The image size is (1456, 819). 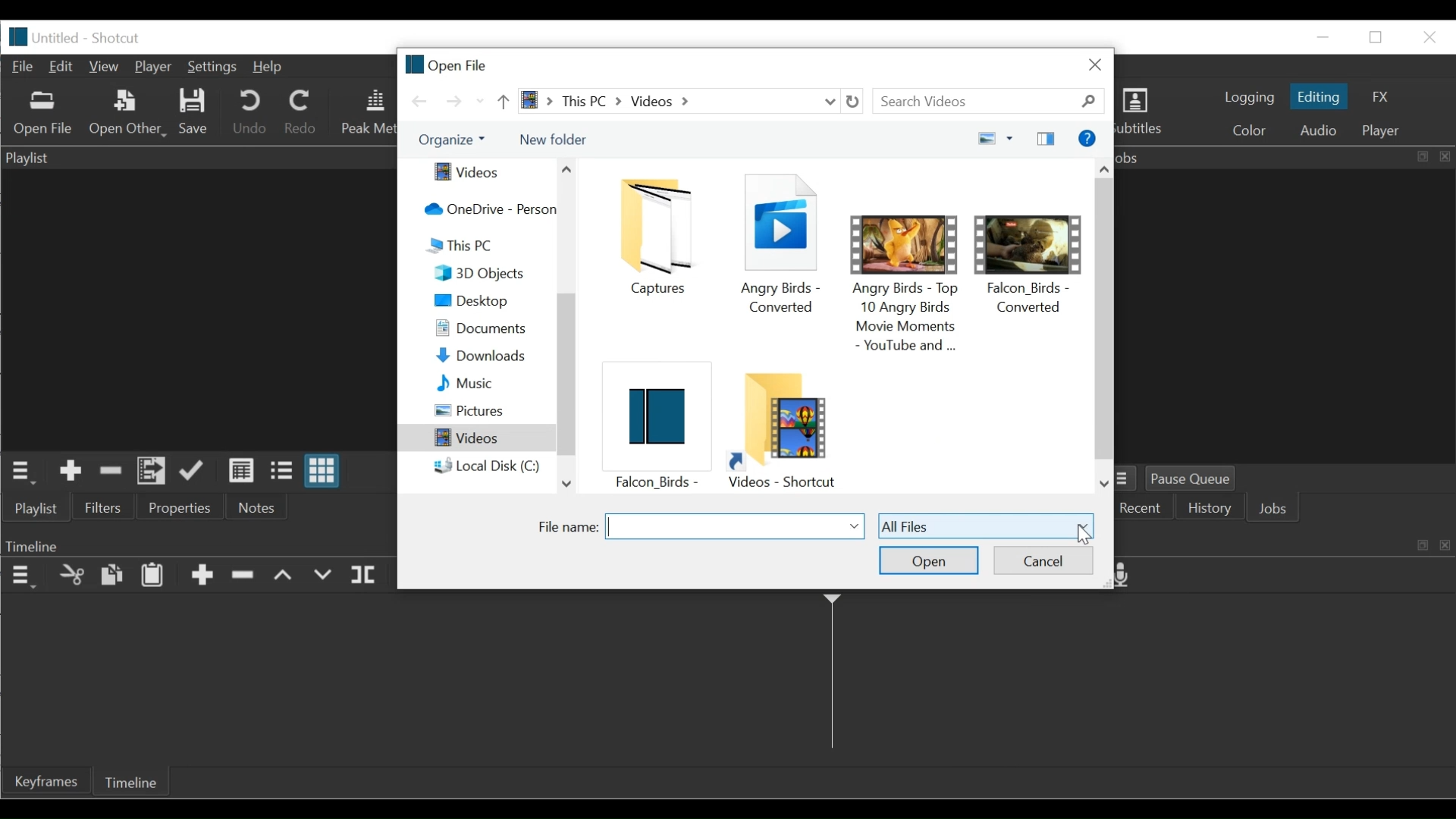 What do you see at coordinates (447, 63) in the screenshot?
I see `Open file` at bounding box center [447, 63].